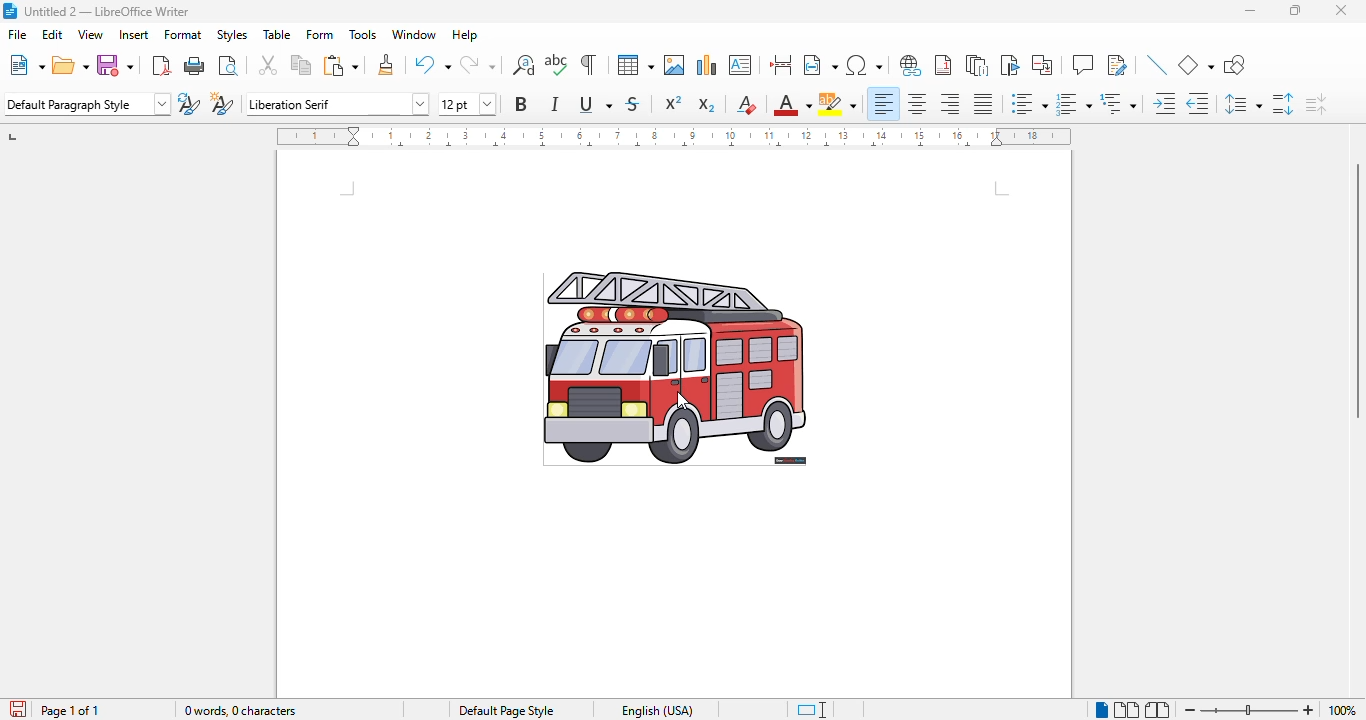 This screenshot has width=1366, height=720. What do you see at coordinates (71, 65) in the screenshot?
I see `open` at bounding box center [71, 65].